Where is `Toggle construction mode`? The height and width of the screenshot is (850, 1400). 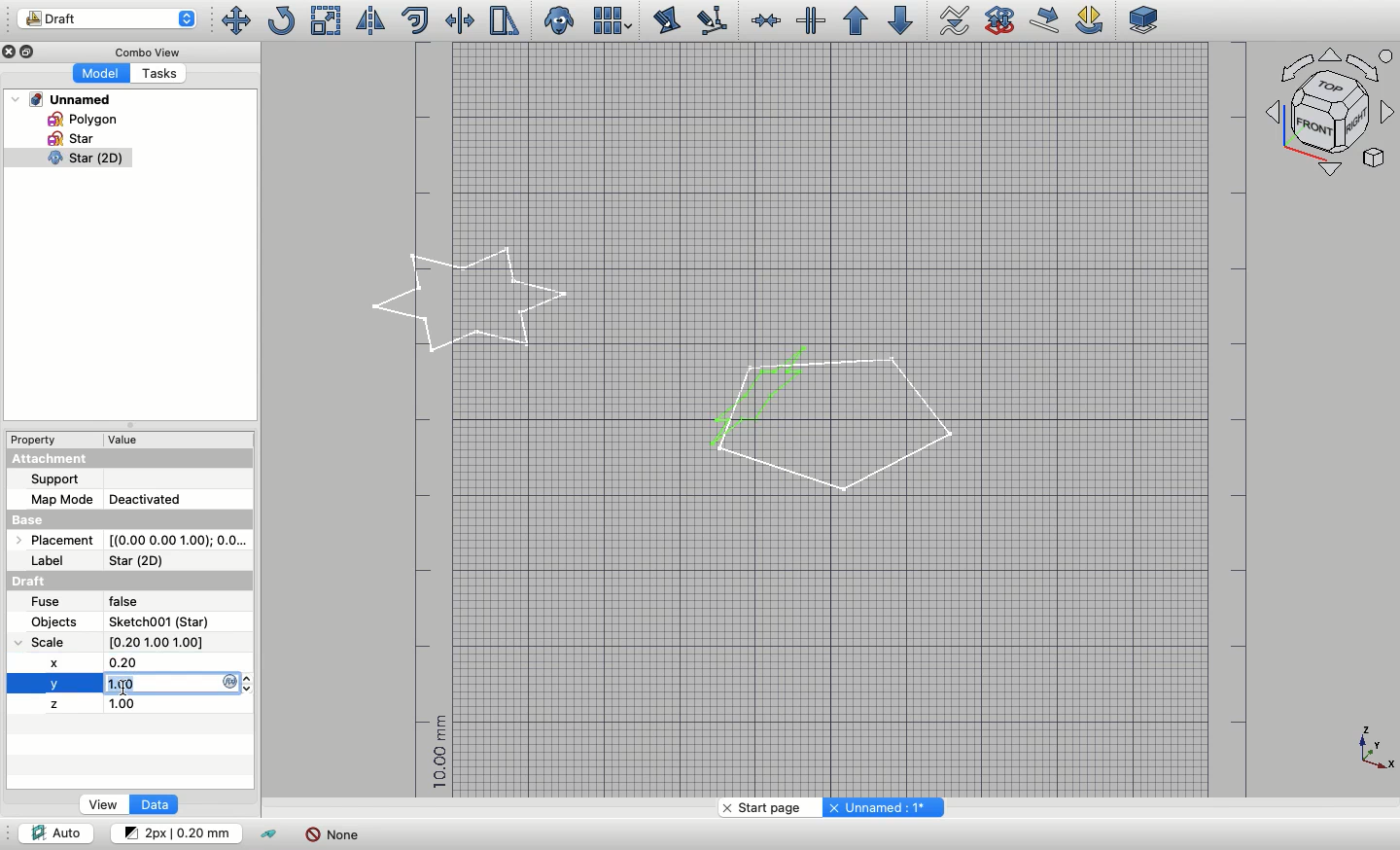 Toggle construction mode is located at coordinates (270, 835).